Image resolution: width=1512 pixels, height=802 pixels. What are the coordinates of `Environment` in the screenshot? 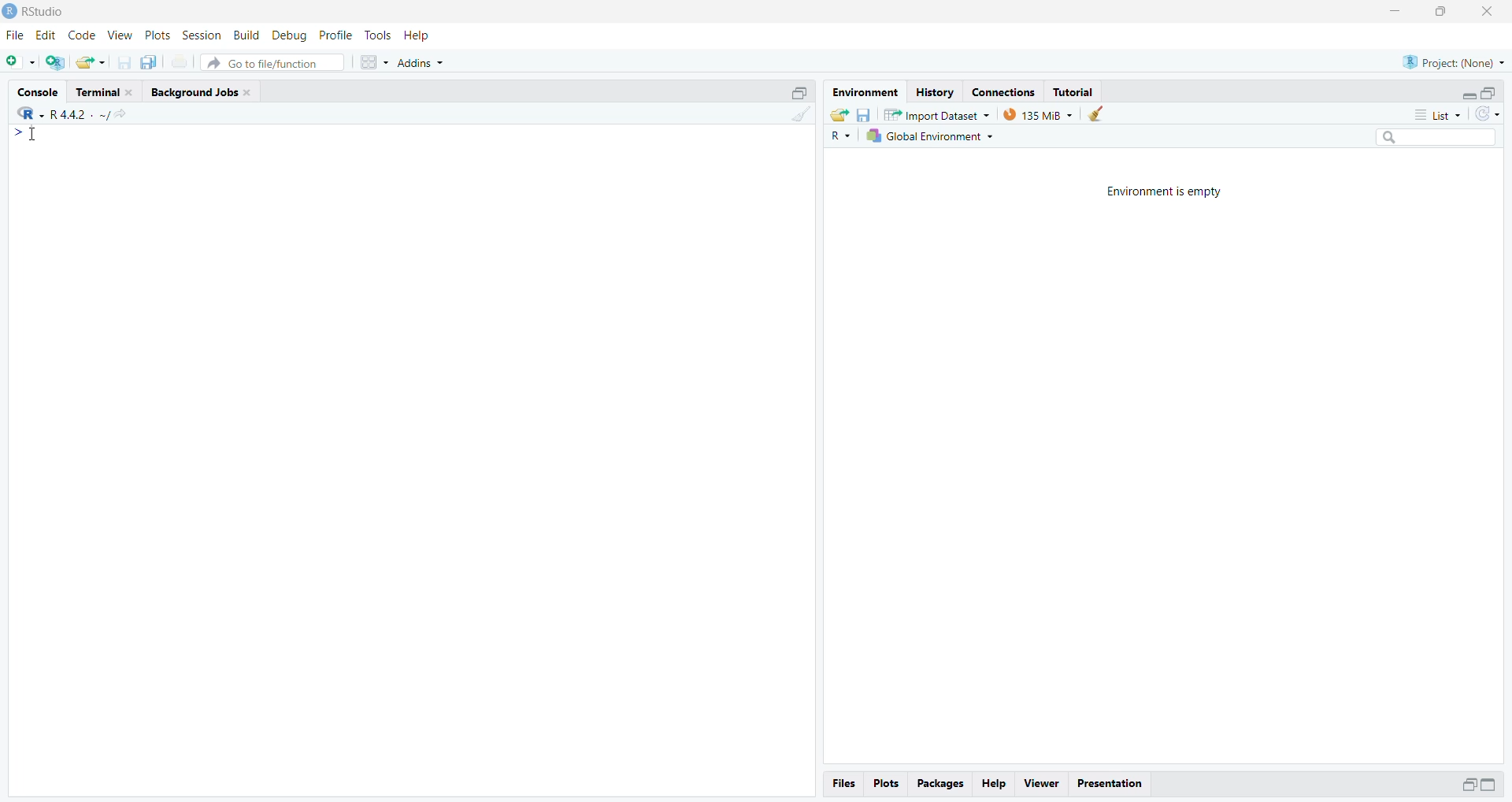 It's located at (865, 92).